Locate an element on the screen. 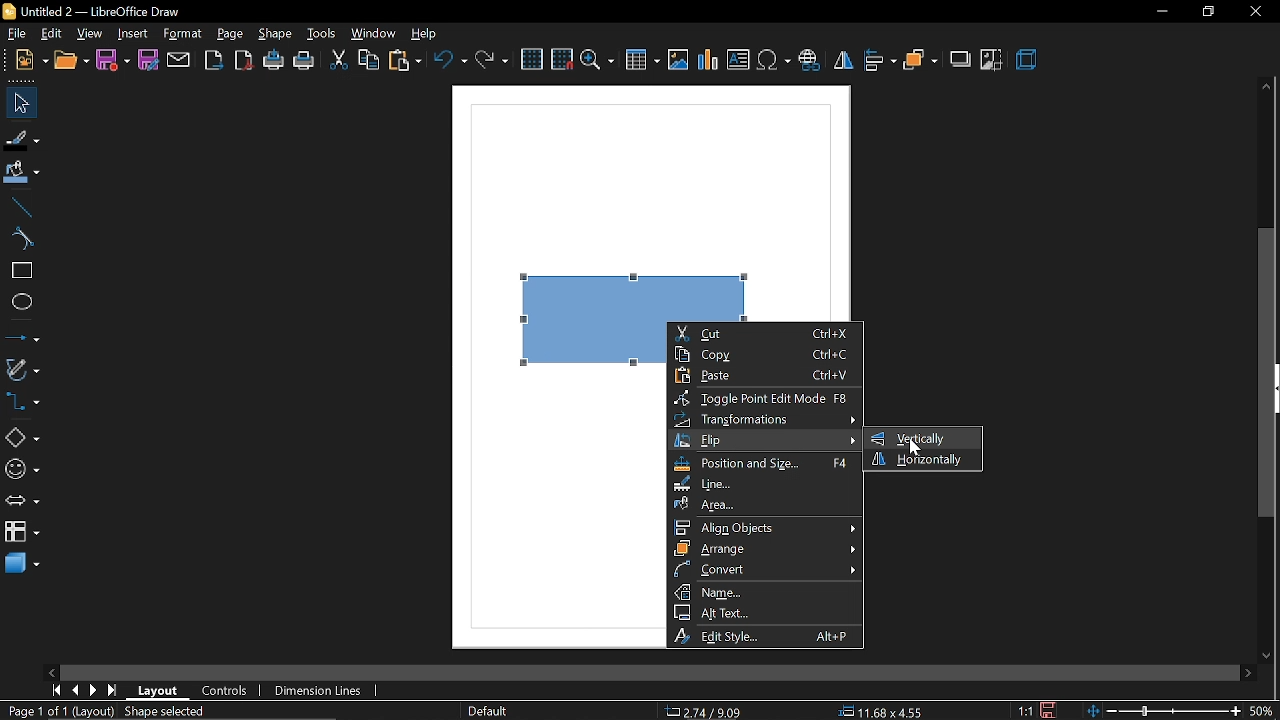  Page 1 of (layout) is located at coordinates (57, 713).